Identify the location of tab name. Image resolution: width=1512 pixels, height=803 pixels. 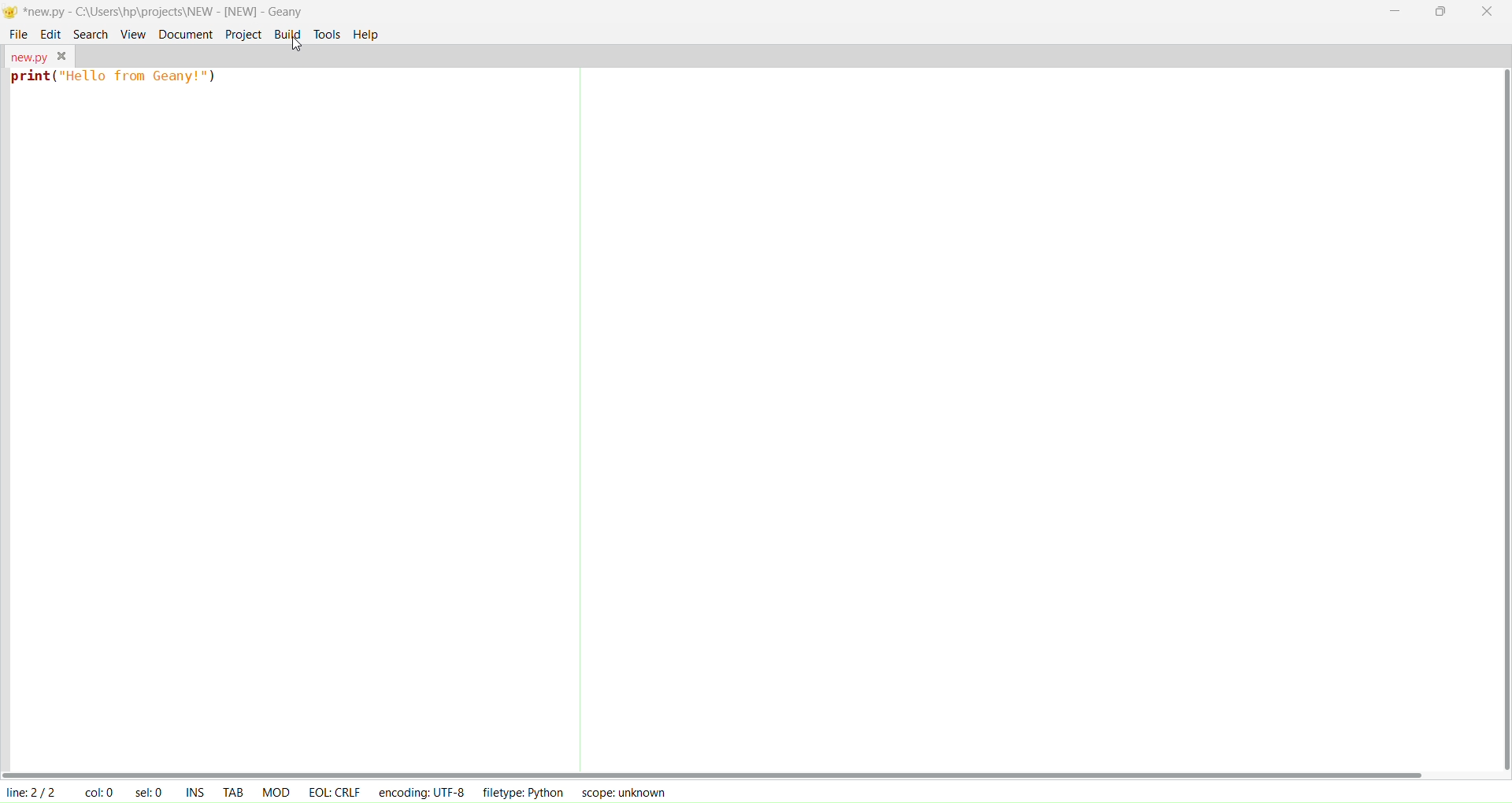
(27, 55).